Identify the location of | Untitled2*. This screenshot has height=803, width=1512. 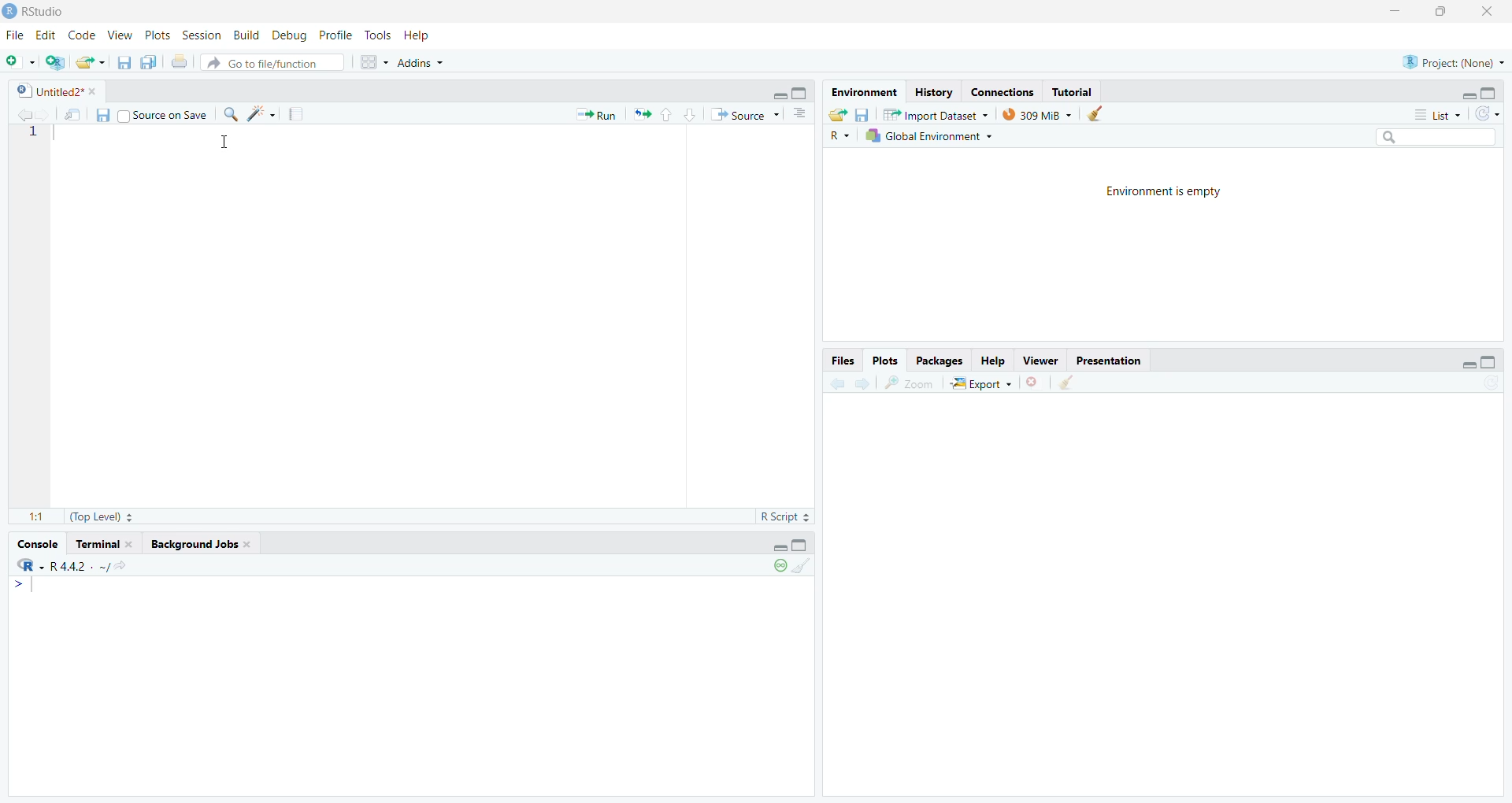
(50, 92).